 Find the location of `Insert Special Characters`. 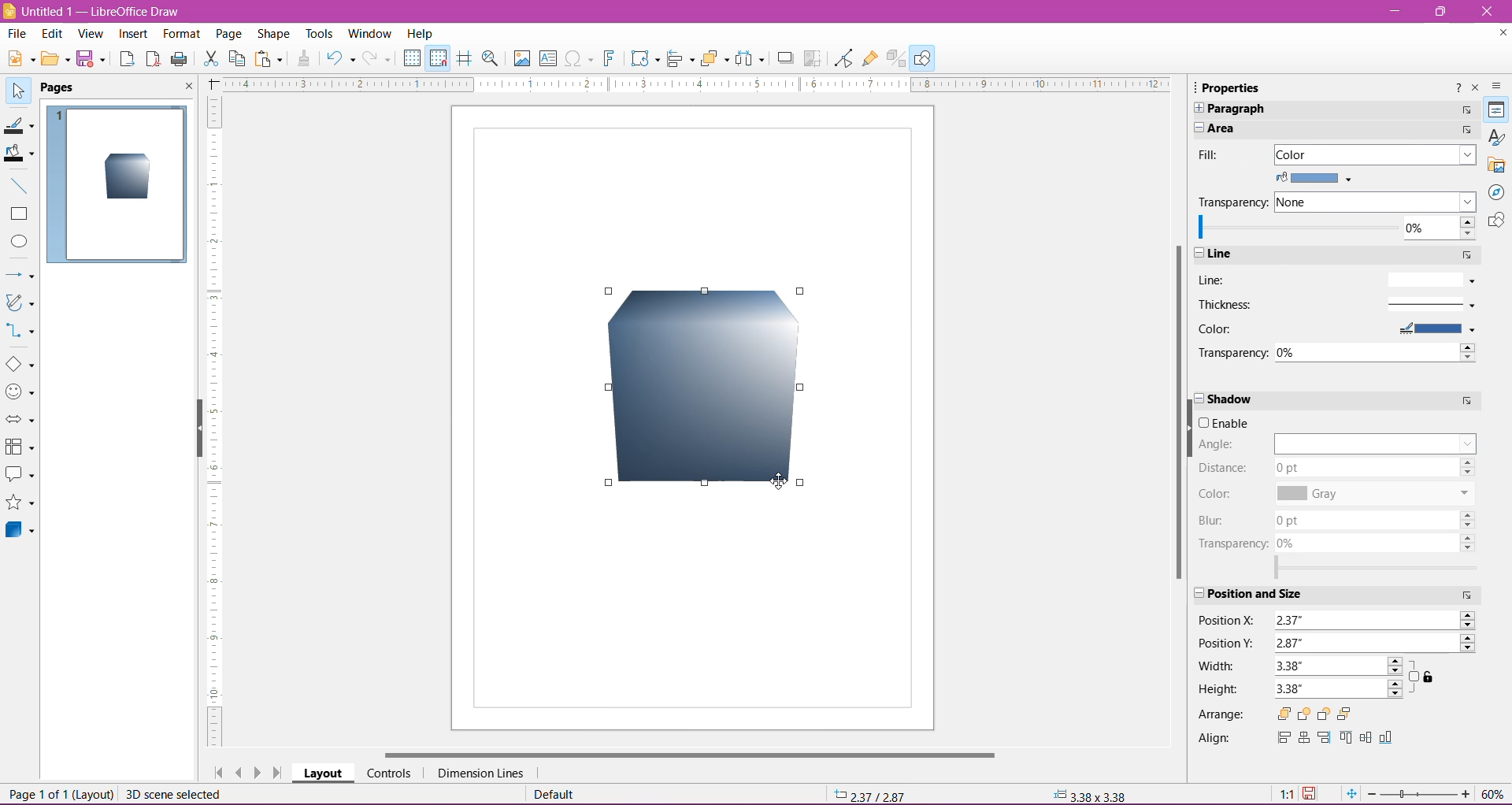

Insert Special Characters is located at coordinates (579, 58).